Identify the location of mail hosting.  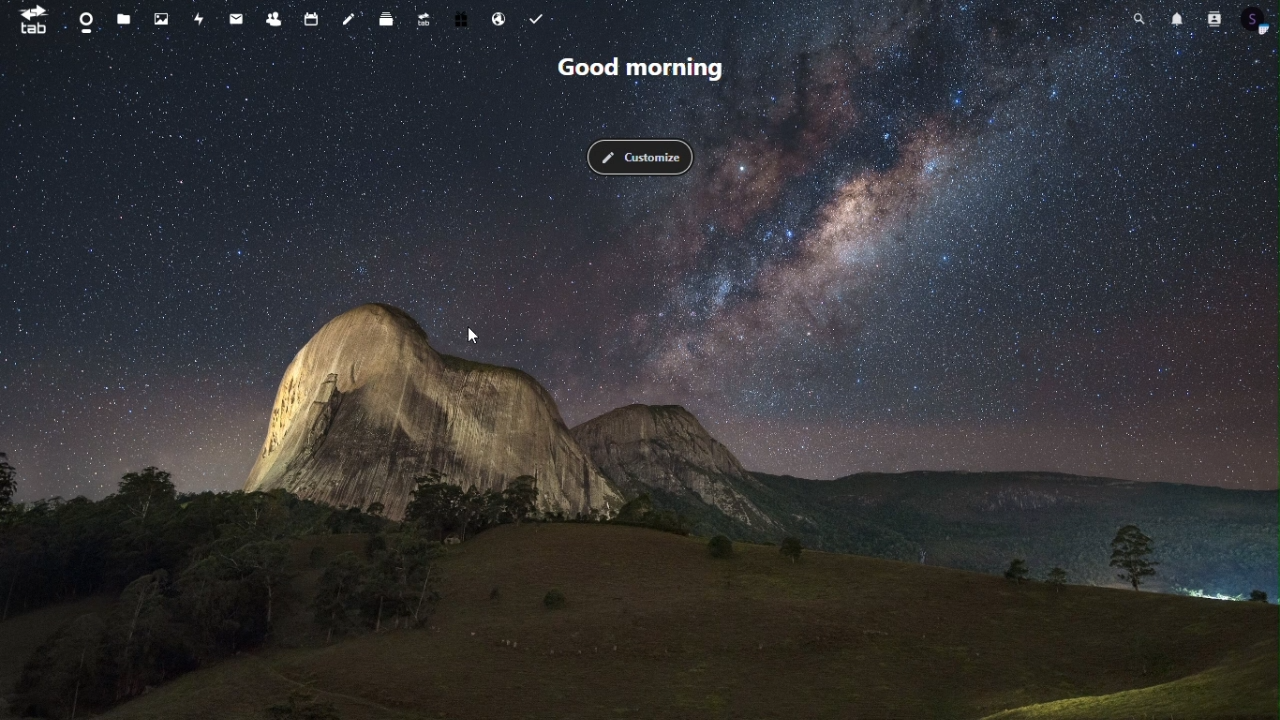
(502, 16).